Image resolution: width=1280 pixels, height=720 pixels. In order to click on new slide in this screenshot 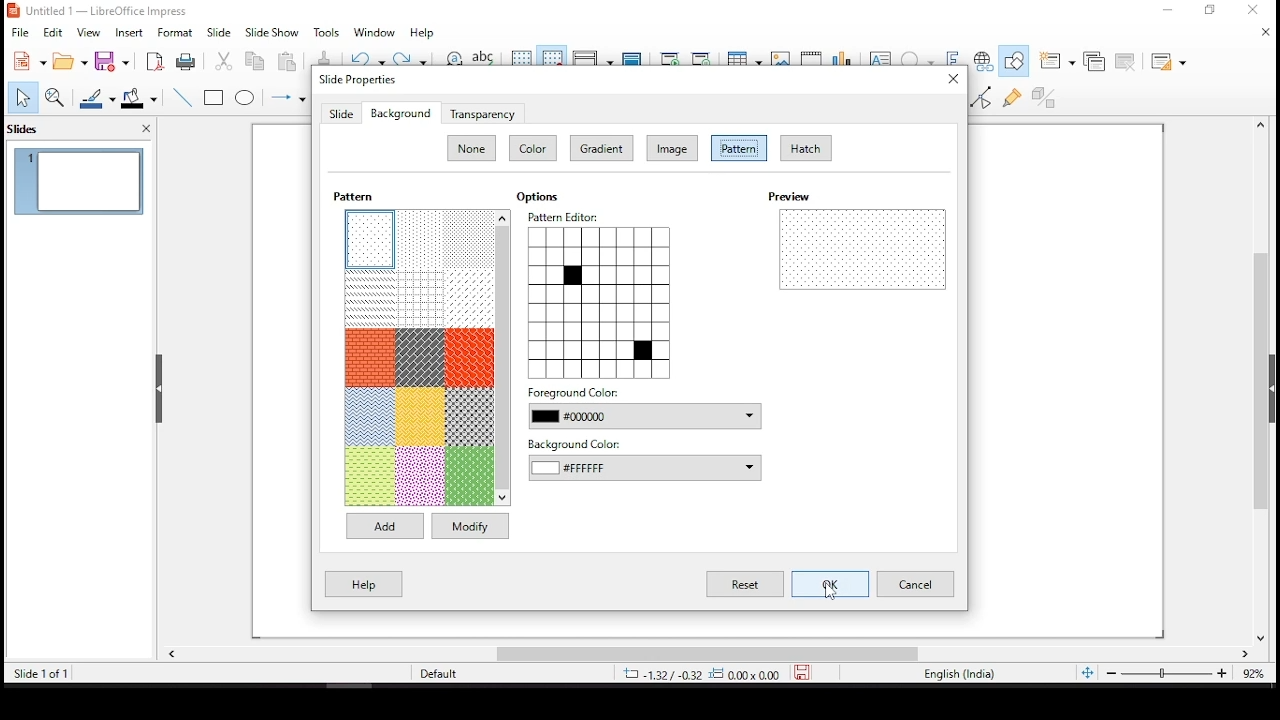, I will do `click(1057, 59)`.